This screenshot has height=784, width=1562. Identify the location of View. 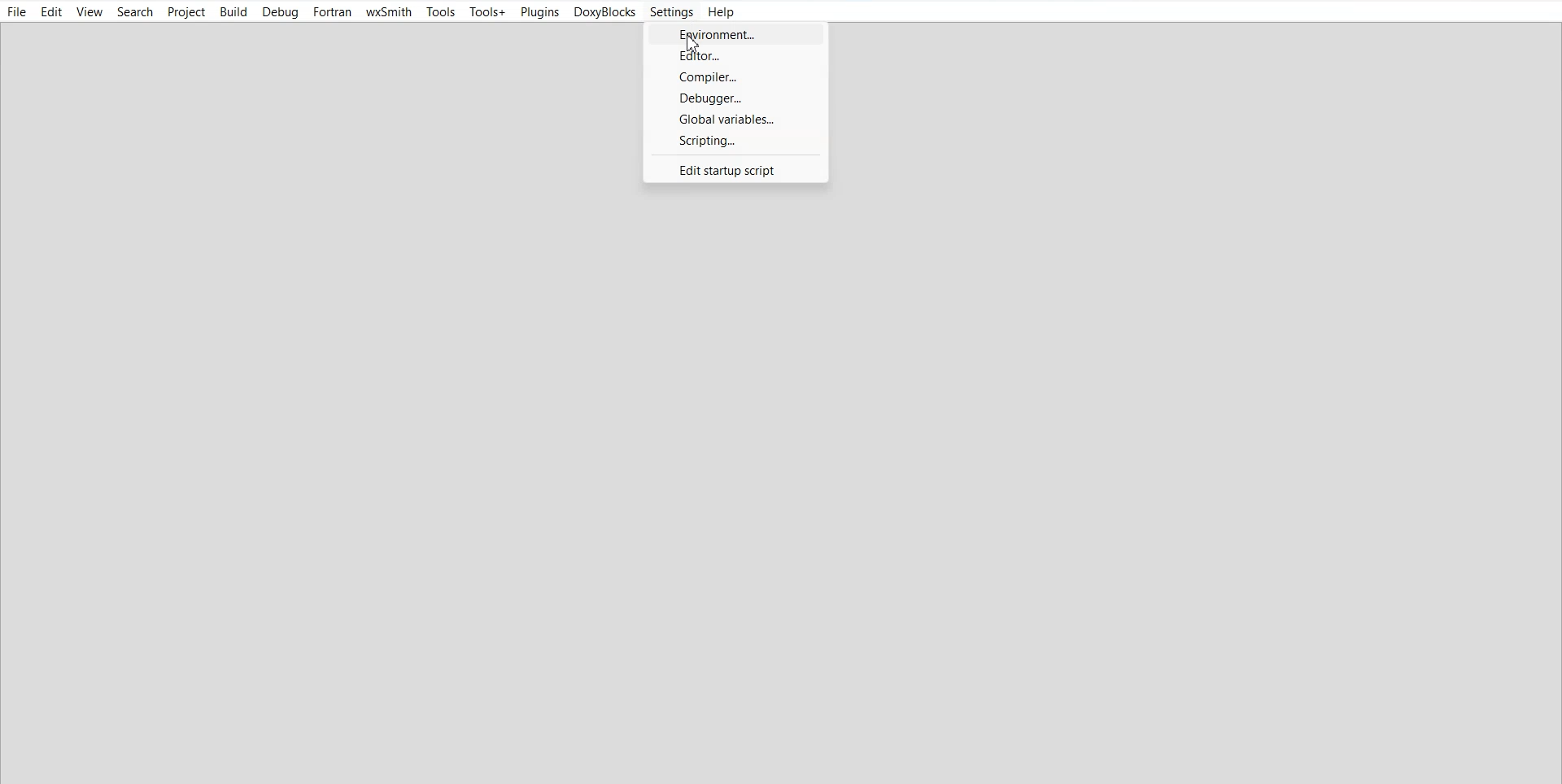
(89, 13).